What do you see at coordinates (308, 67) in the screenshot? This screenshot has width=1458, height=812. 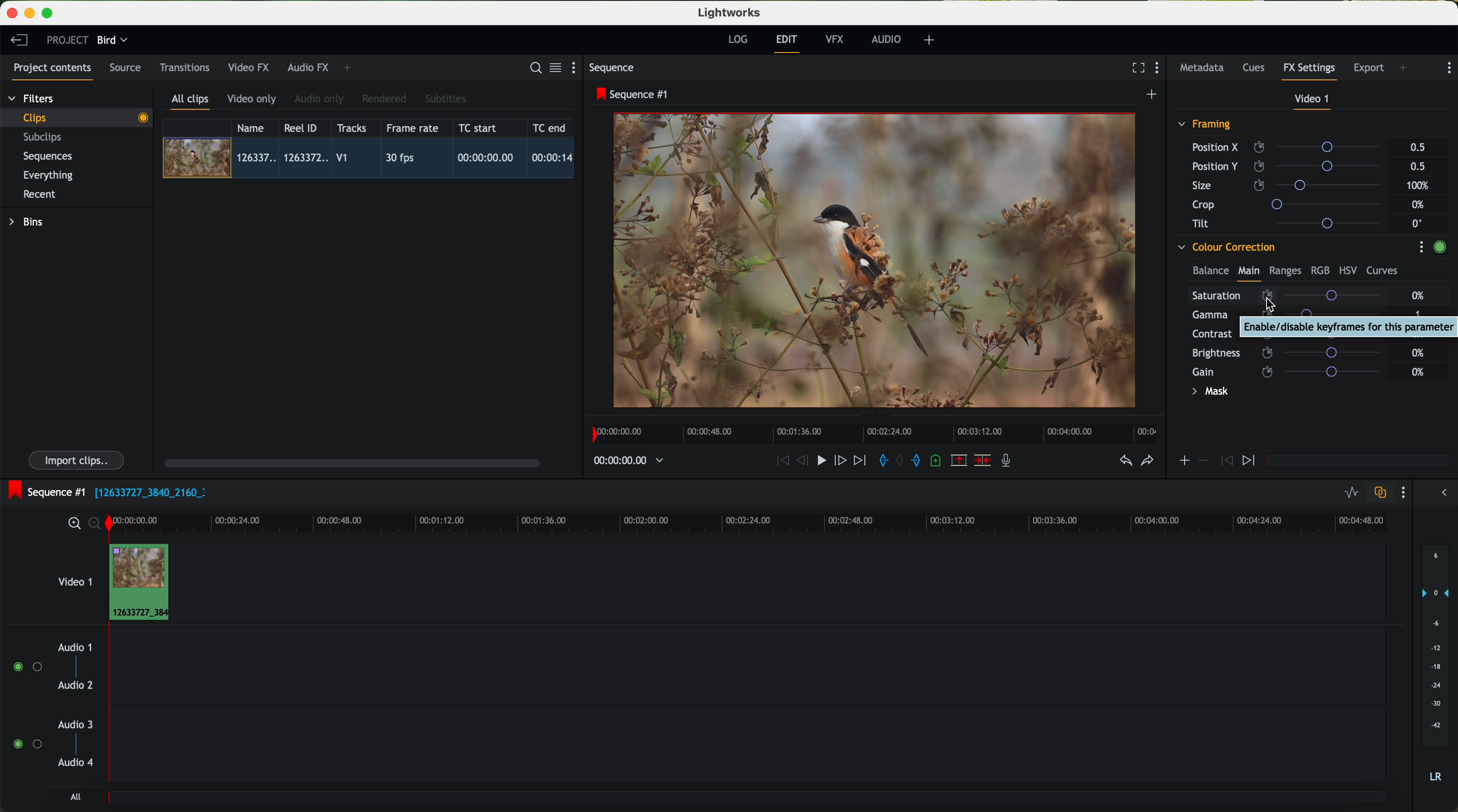 I see `audio FX` at bounding box center [308, 67].